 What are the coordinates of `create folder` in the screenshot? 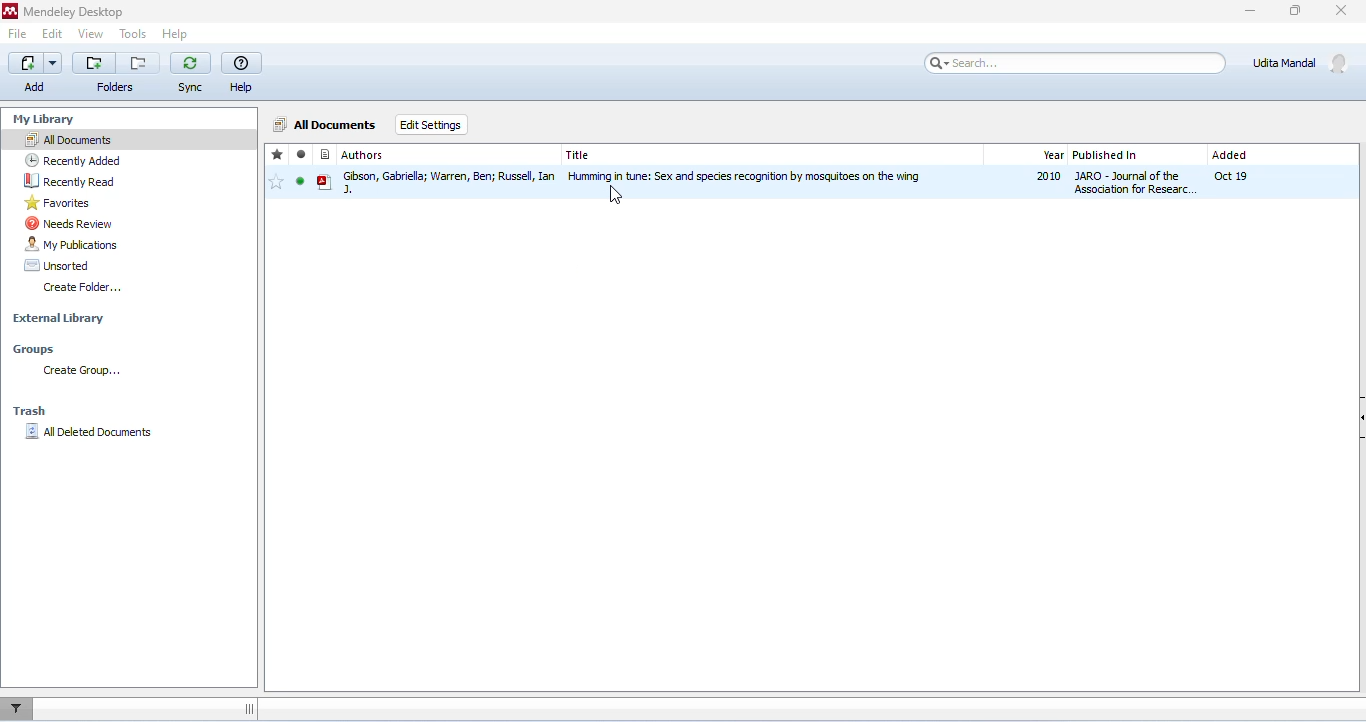 It's located at (82, 289).